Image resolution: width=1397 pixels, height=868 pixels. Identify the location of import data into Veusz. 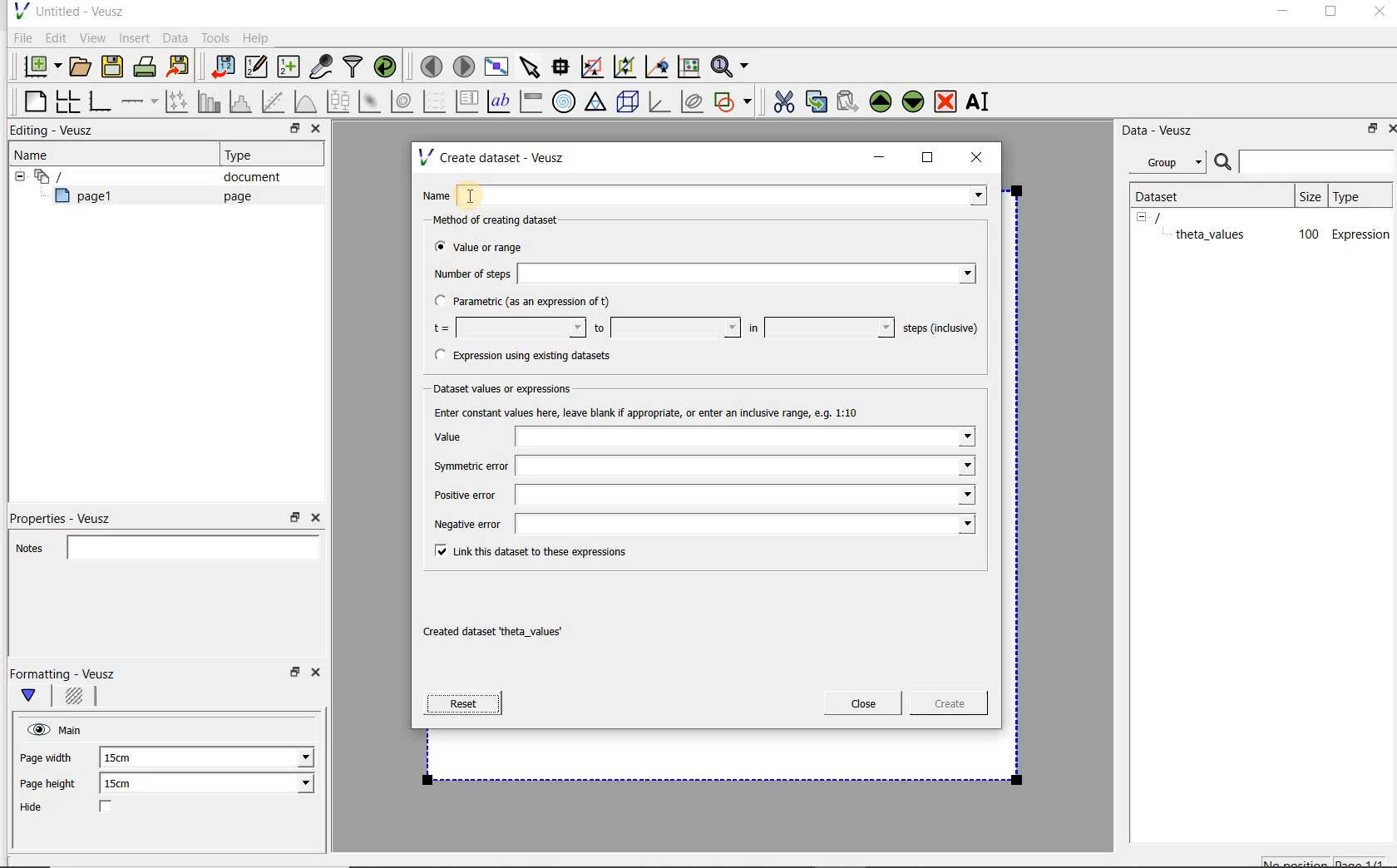
(221, 67).